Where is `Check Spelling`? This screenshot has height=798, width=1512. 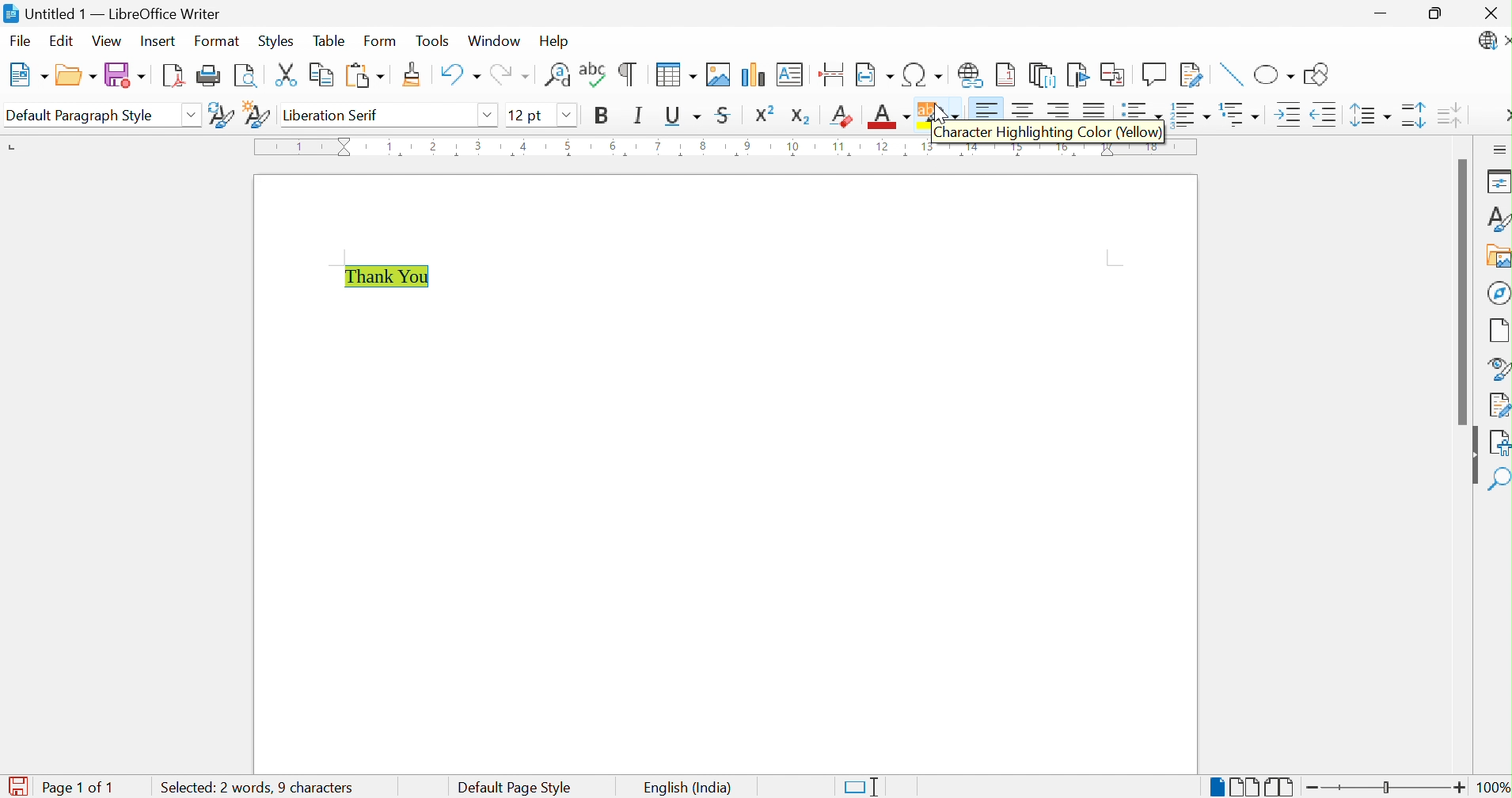
Check Spelling is located at coordinates (593, 78).